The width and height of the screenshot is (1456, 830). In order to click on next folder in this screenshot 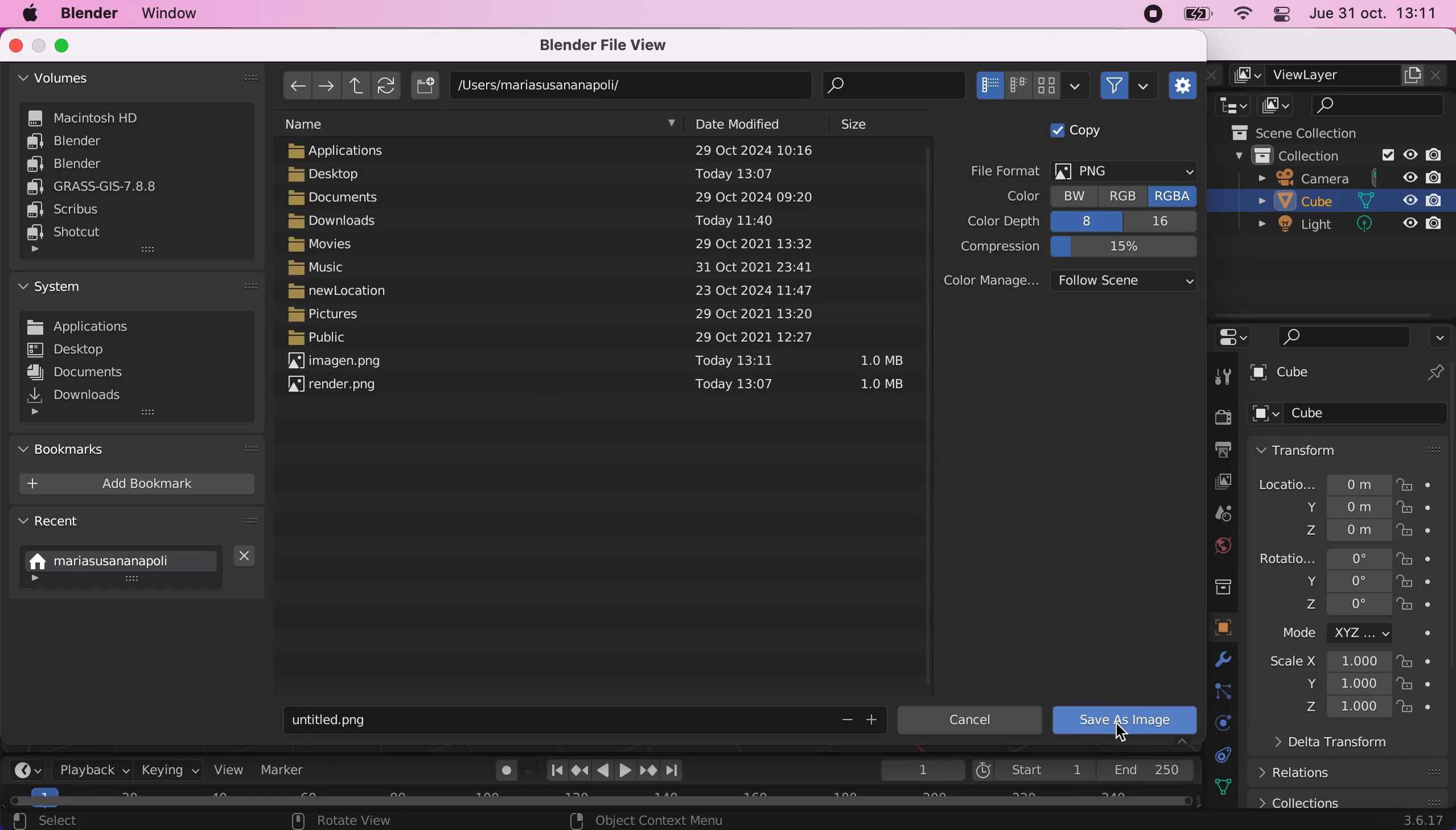, I will do `click(328, 84)`.